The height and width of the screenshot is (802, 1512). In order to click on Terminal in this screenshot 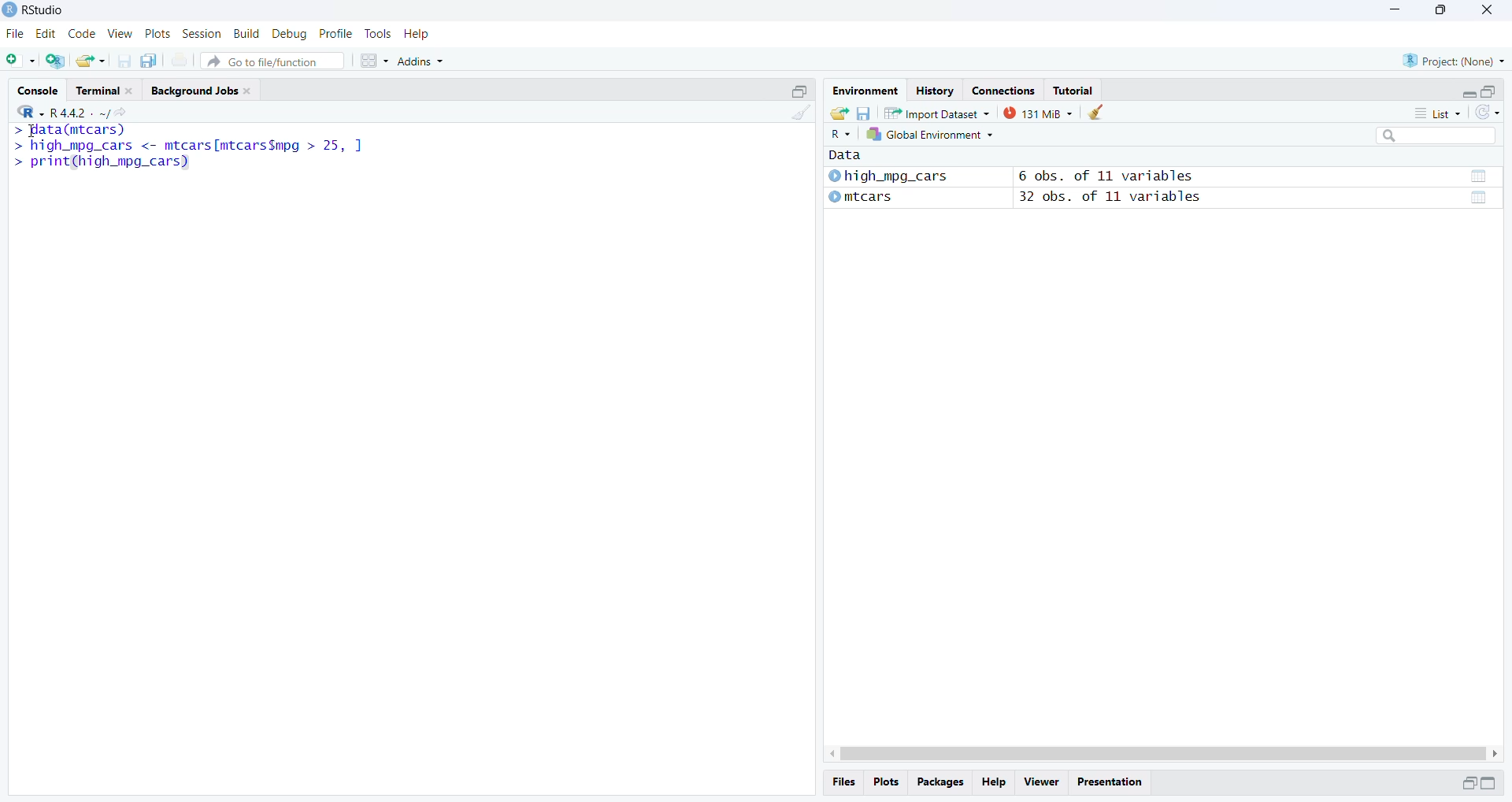, I will do `click(106, 88)`.